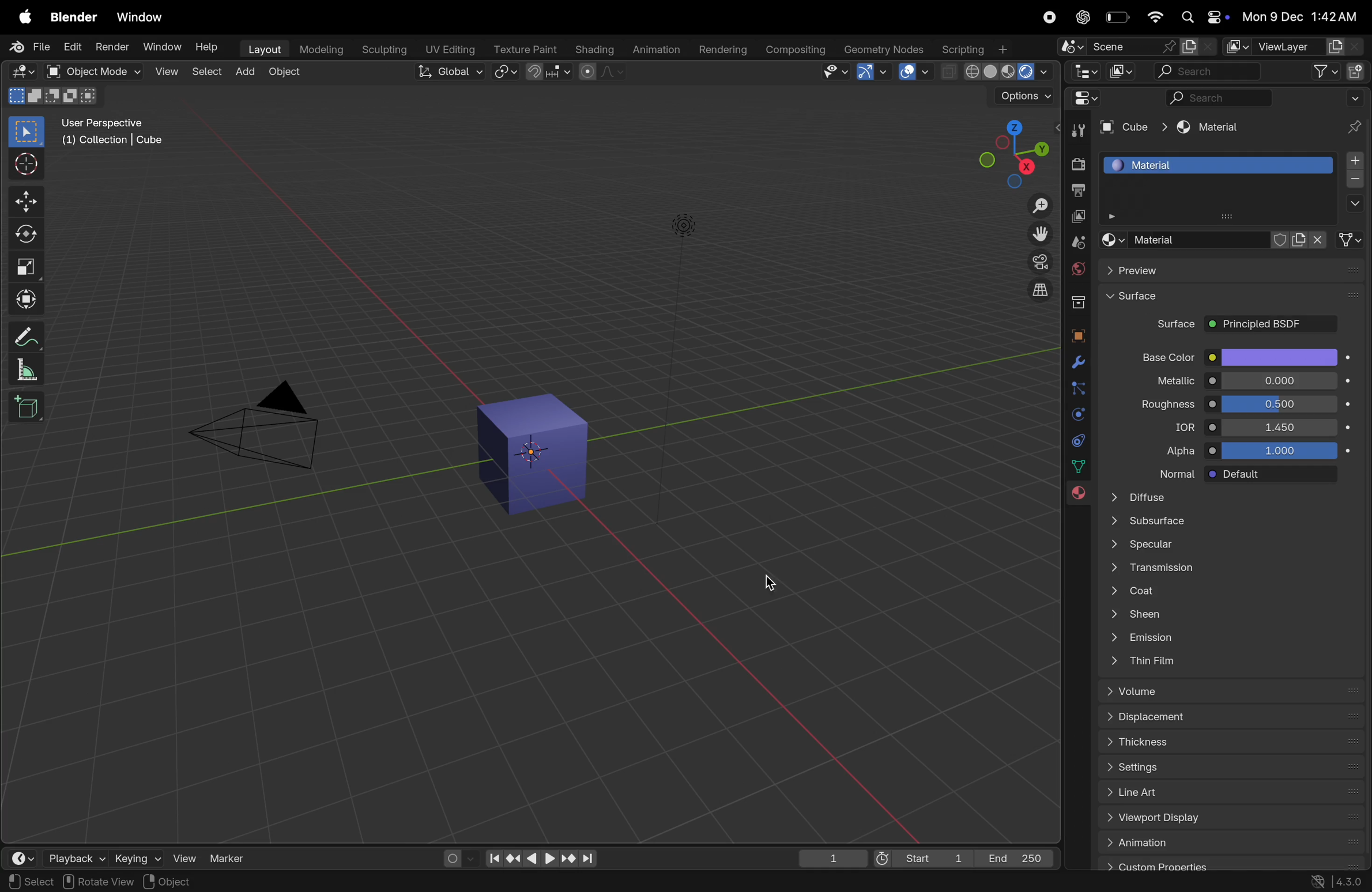 The width and height of the screenshot is (1372, 892). I want to click on material, so click(1077, 497).